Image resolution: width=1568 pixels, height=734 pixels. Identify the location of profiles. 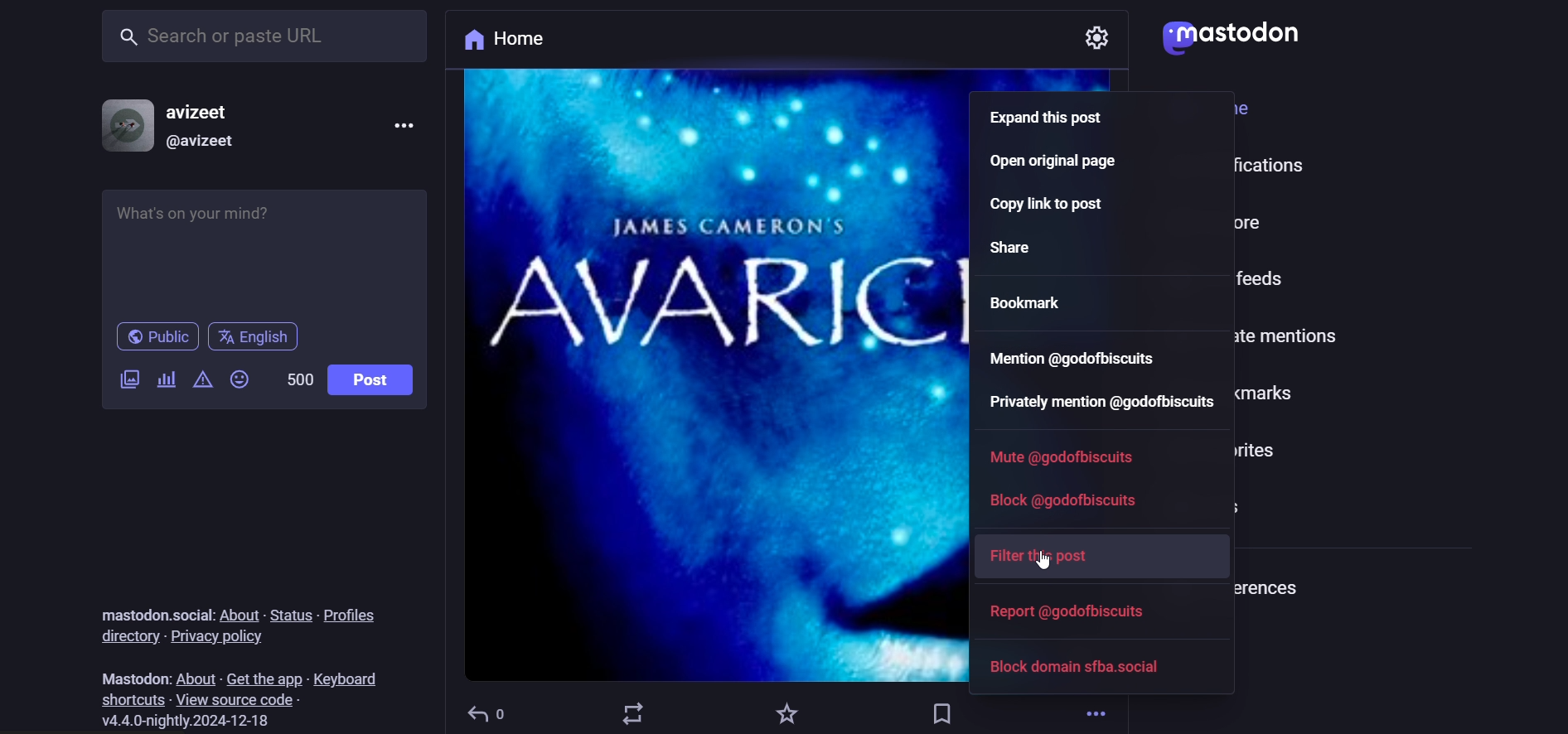
(351, 613).